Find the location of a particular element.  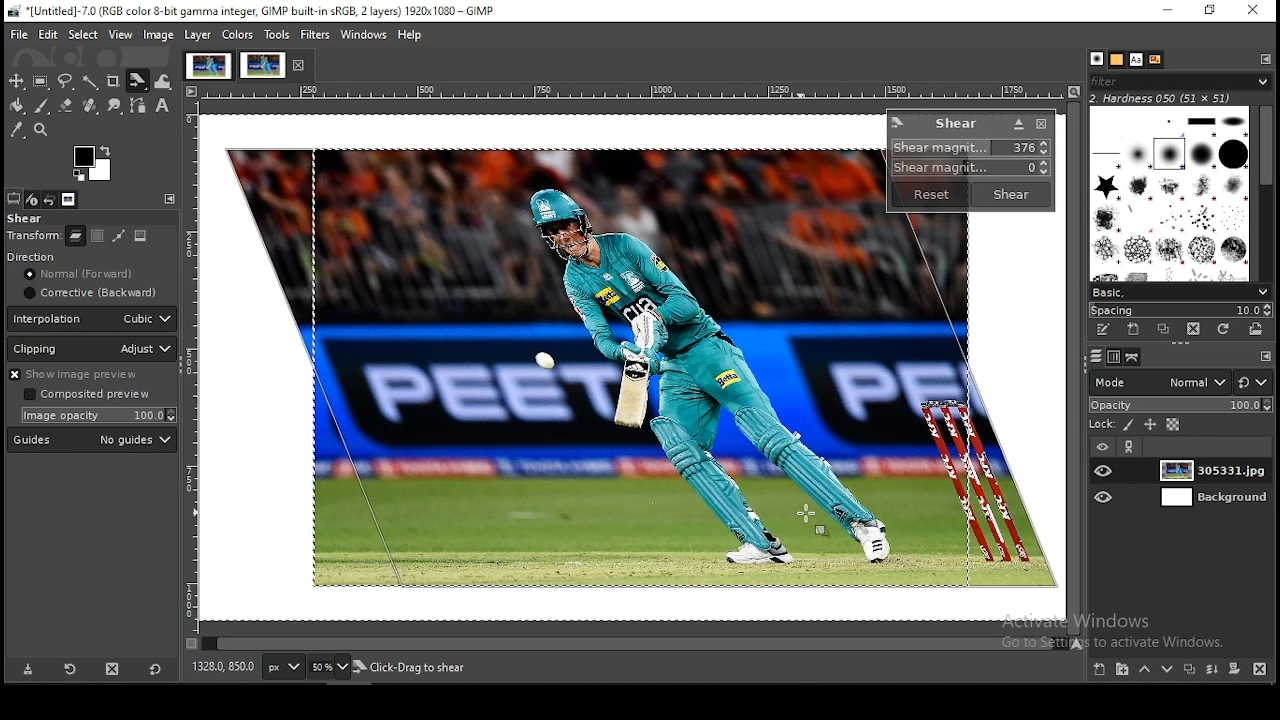

Composited preview is located at coordinates (89, 395).